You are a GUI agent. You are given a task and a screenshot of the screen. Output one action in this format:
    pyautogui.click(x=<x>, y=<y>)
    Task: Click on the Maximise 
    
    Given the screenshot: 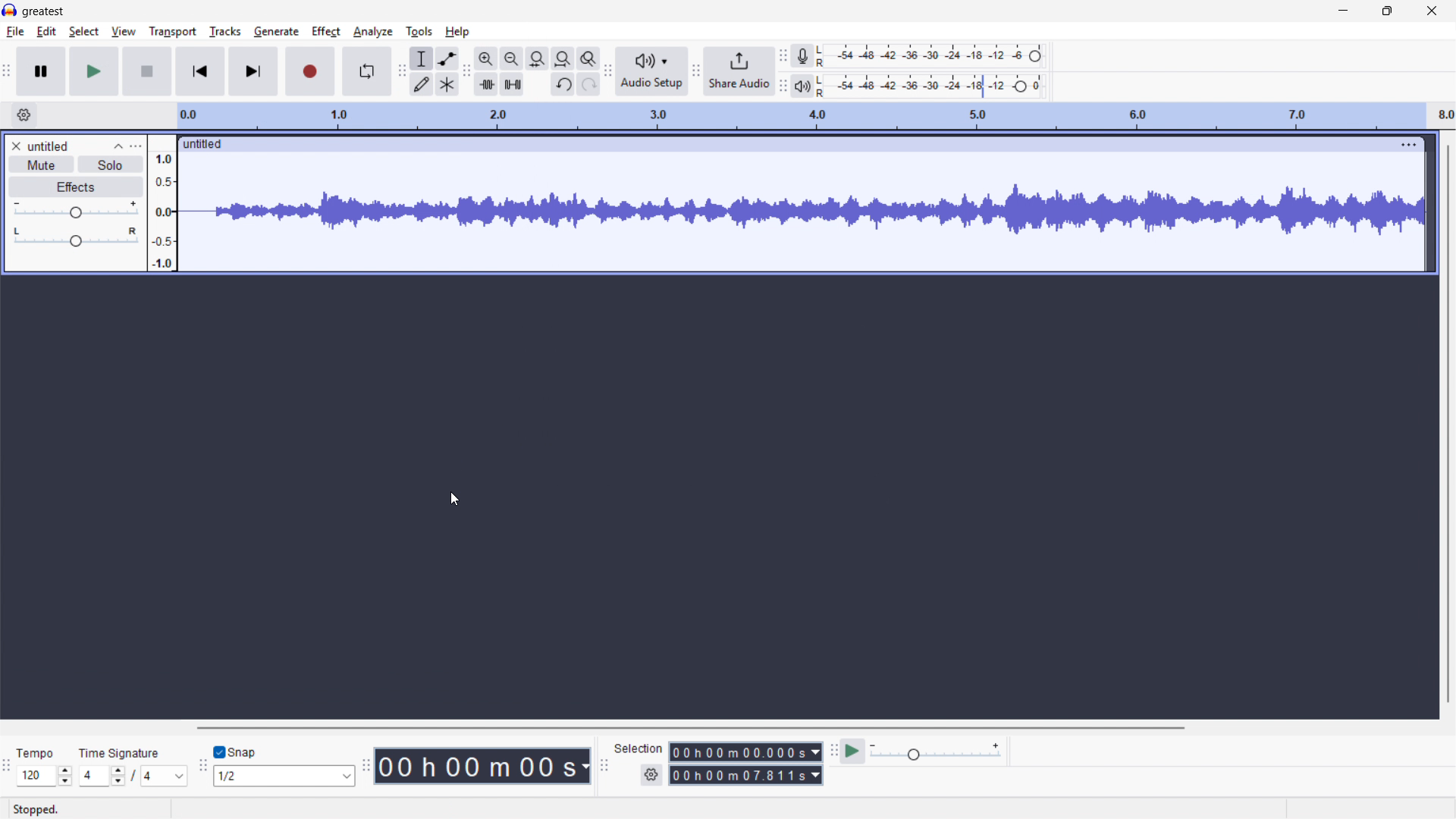 What is the action you would take?
    pyautogui.click(x=1386, y=11)
    